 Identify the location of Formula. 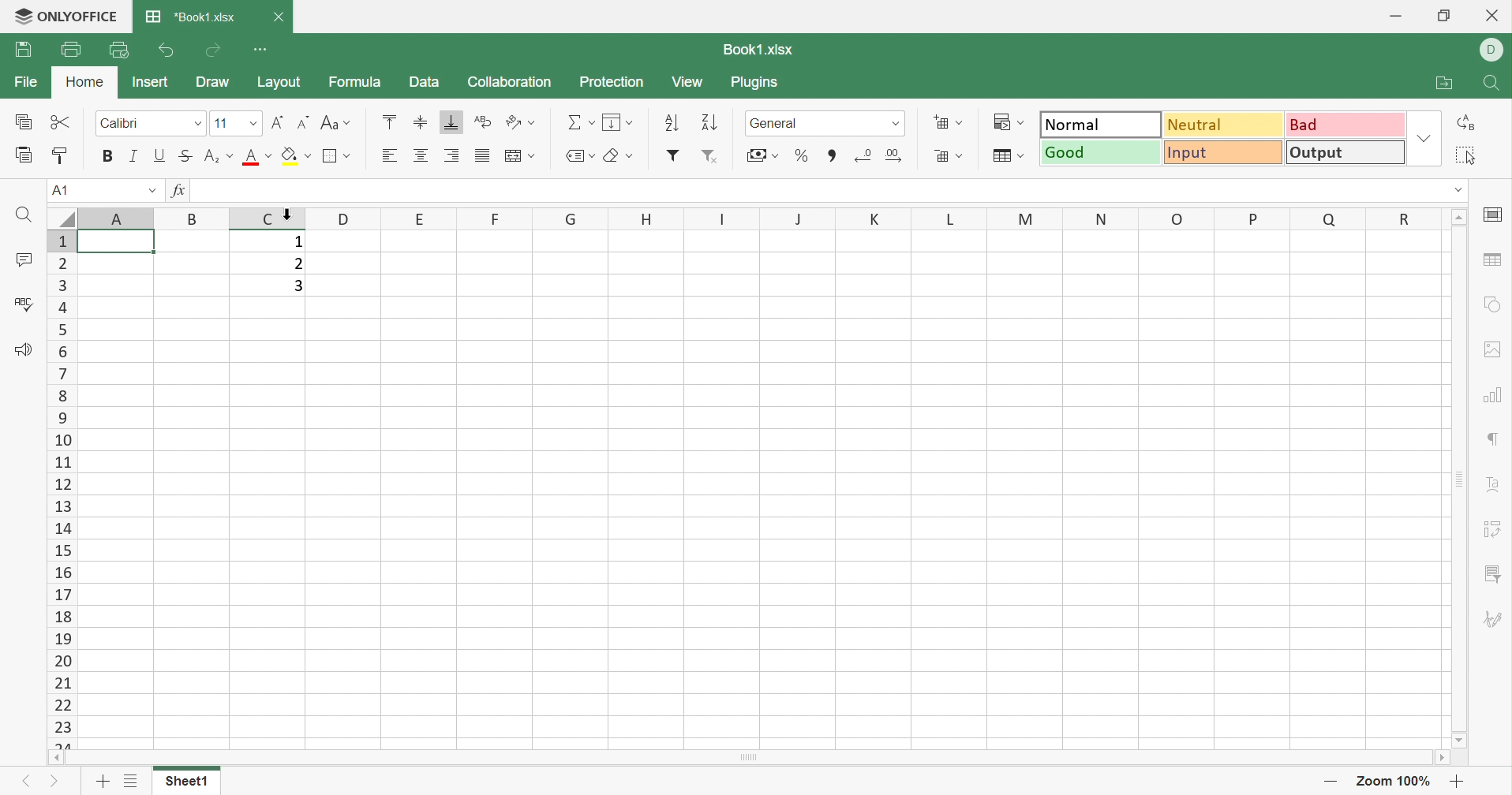
(358, 84).